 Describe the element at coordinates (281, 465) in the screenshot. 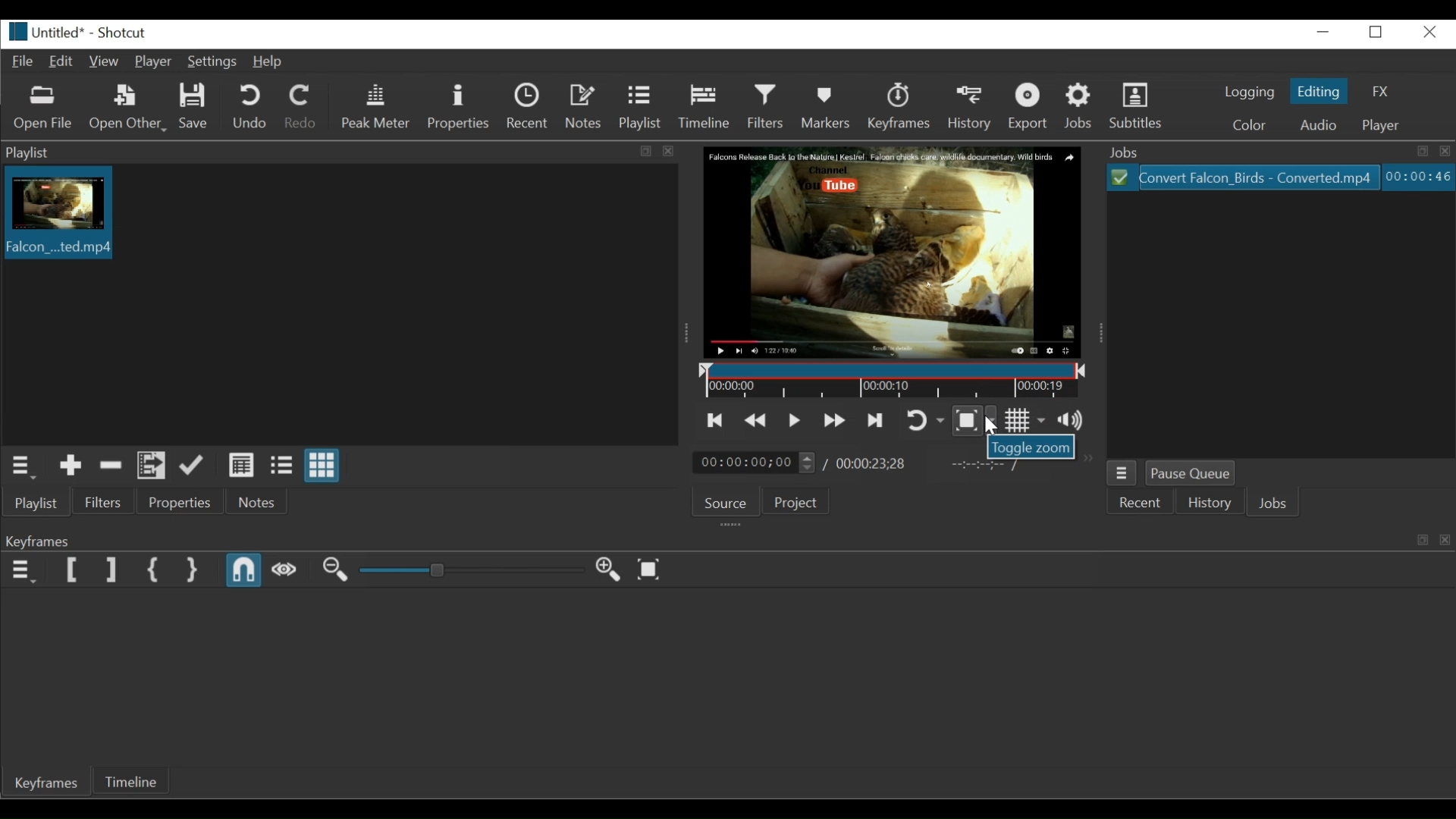

I see `View as files` at that location.